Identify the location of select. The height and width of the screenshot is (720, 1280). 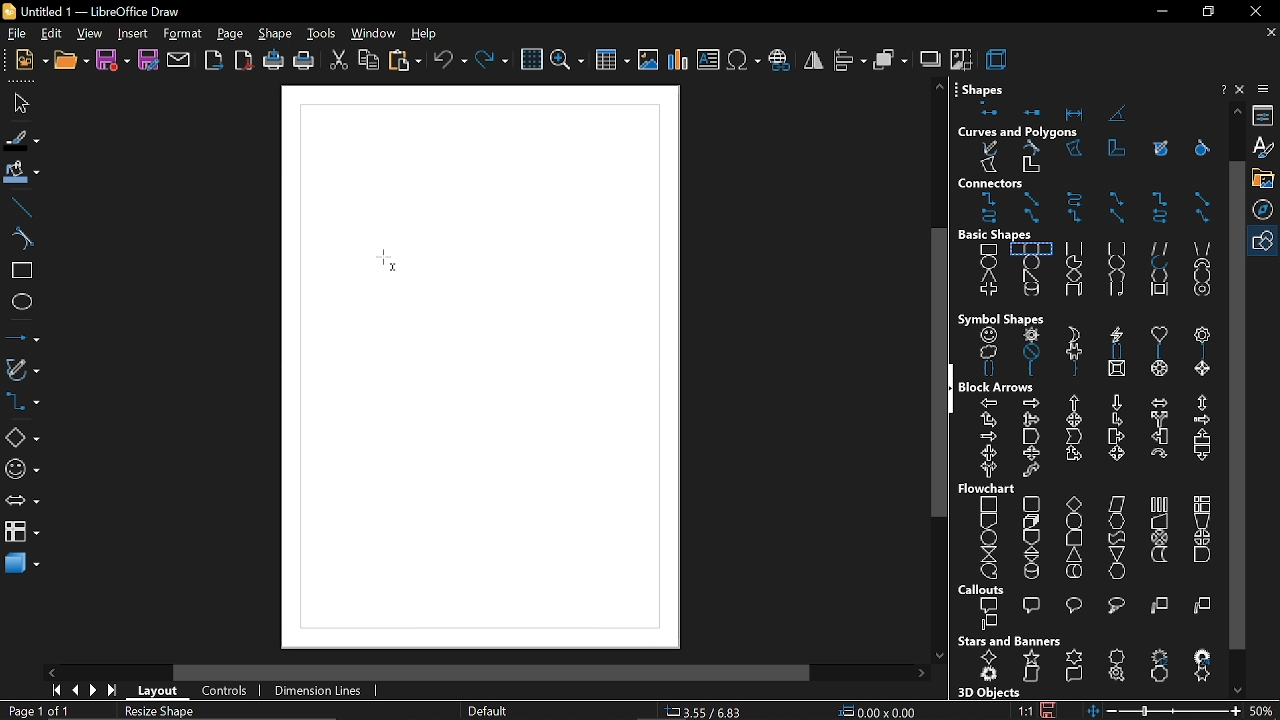
(18, 102).